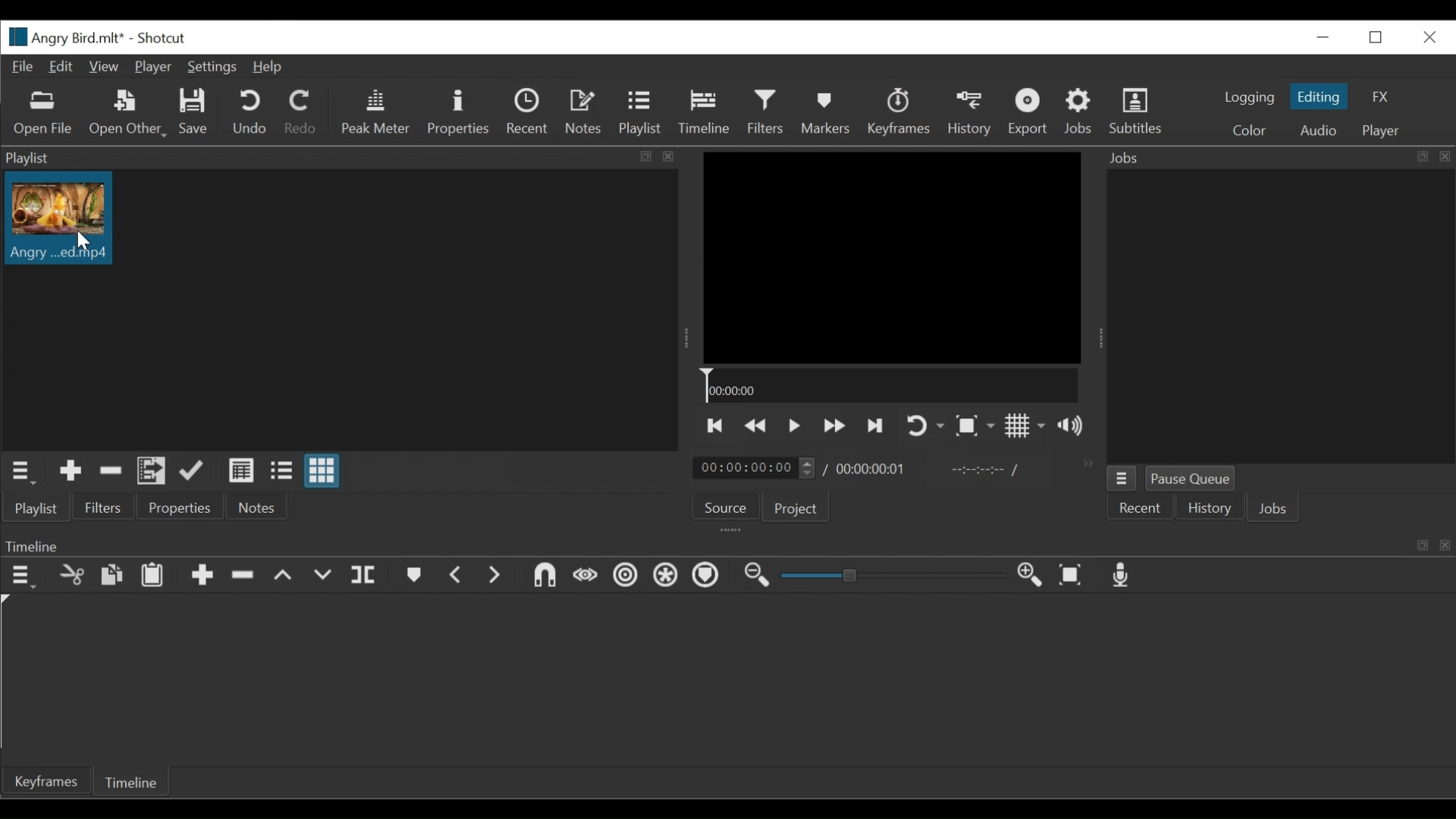 The image size is (1456, 819). What do you see at coordinates (111, 575) in the screenshot?
I see `Copy` at bounding box center [111, 575].